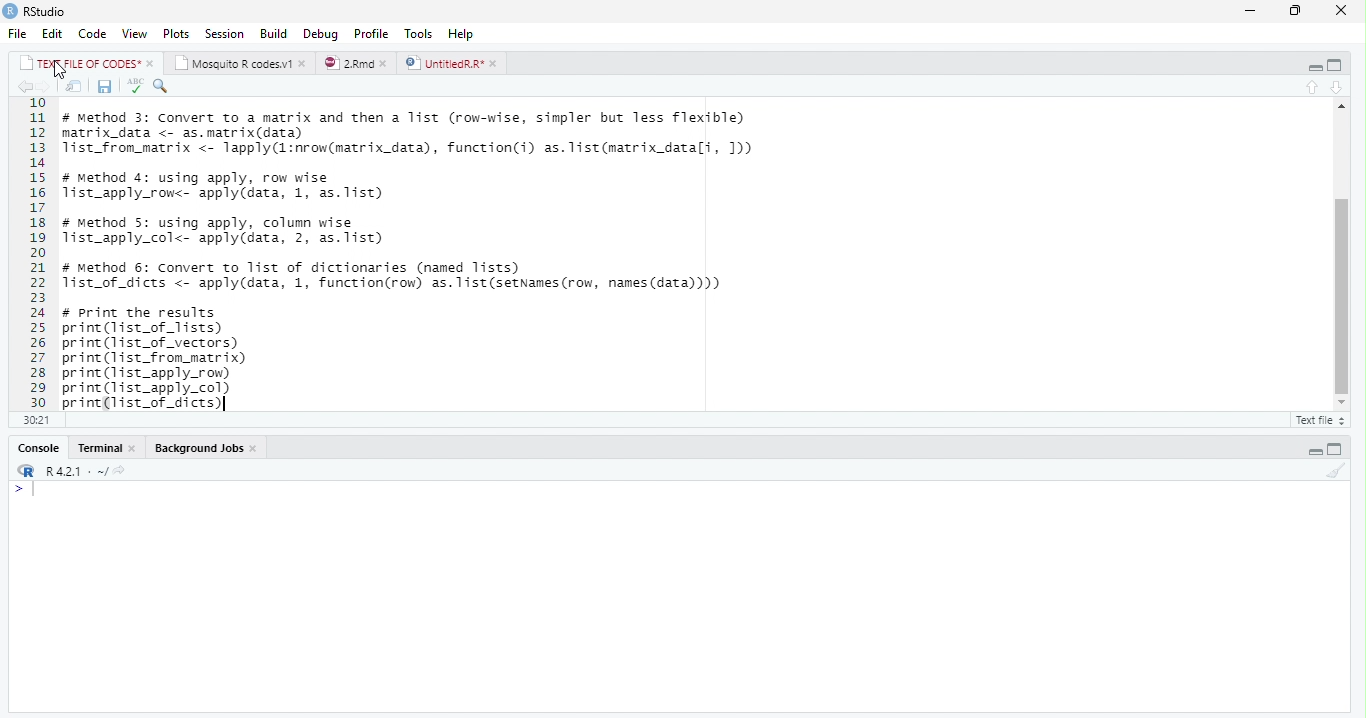 Image resolution: width=1366 pixels, height=718 pixels. Describe the element at coordinates (162, 87) in the screenshot. I see `Find/Replace` at that location.